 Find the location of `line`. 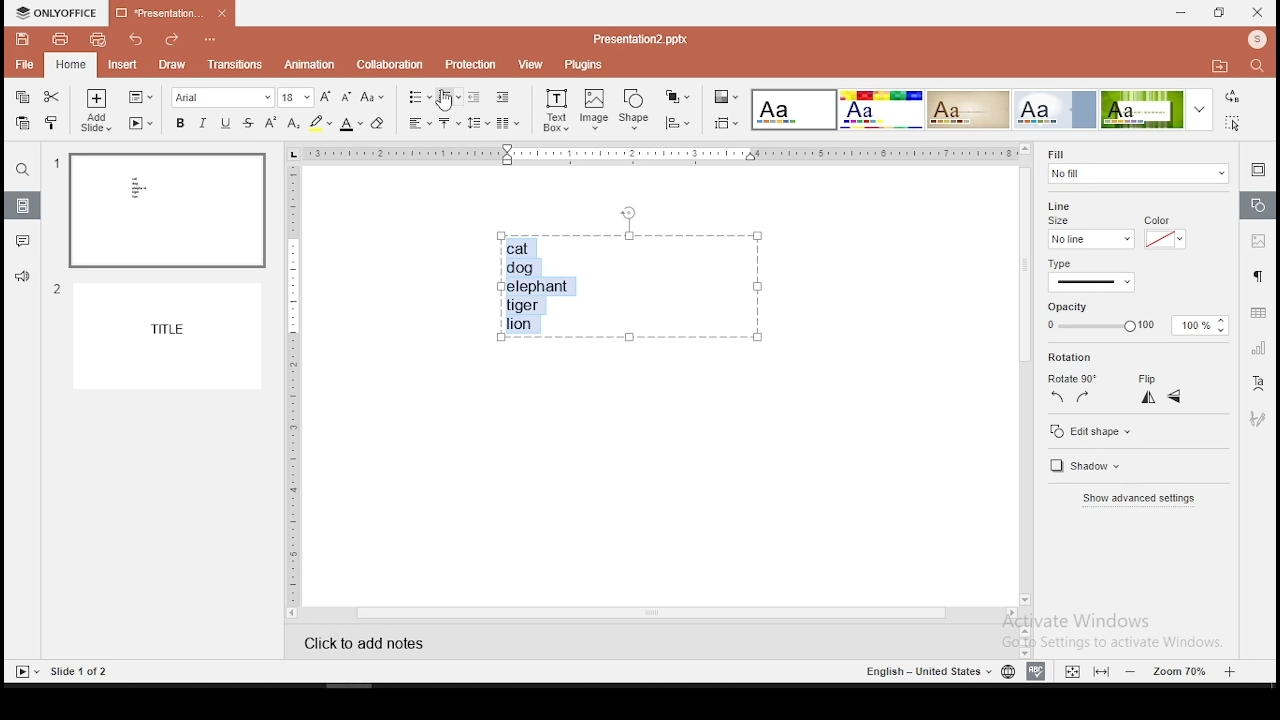

line is located at coordinates (1068, 201).